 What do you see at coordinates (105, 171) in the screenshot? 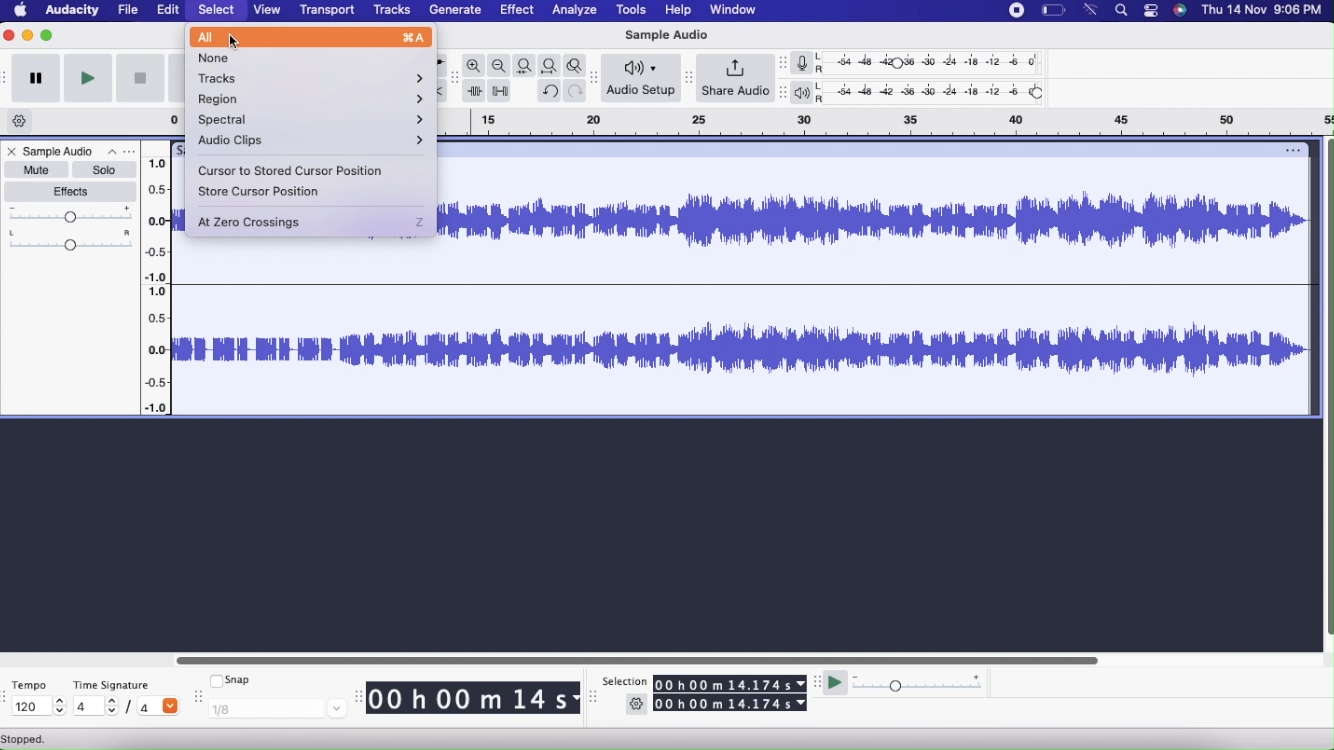
I see `Solo` at bounding box center [105, 171].